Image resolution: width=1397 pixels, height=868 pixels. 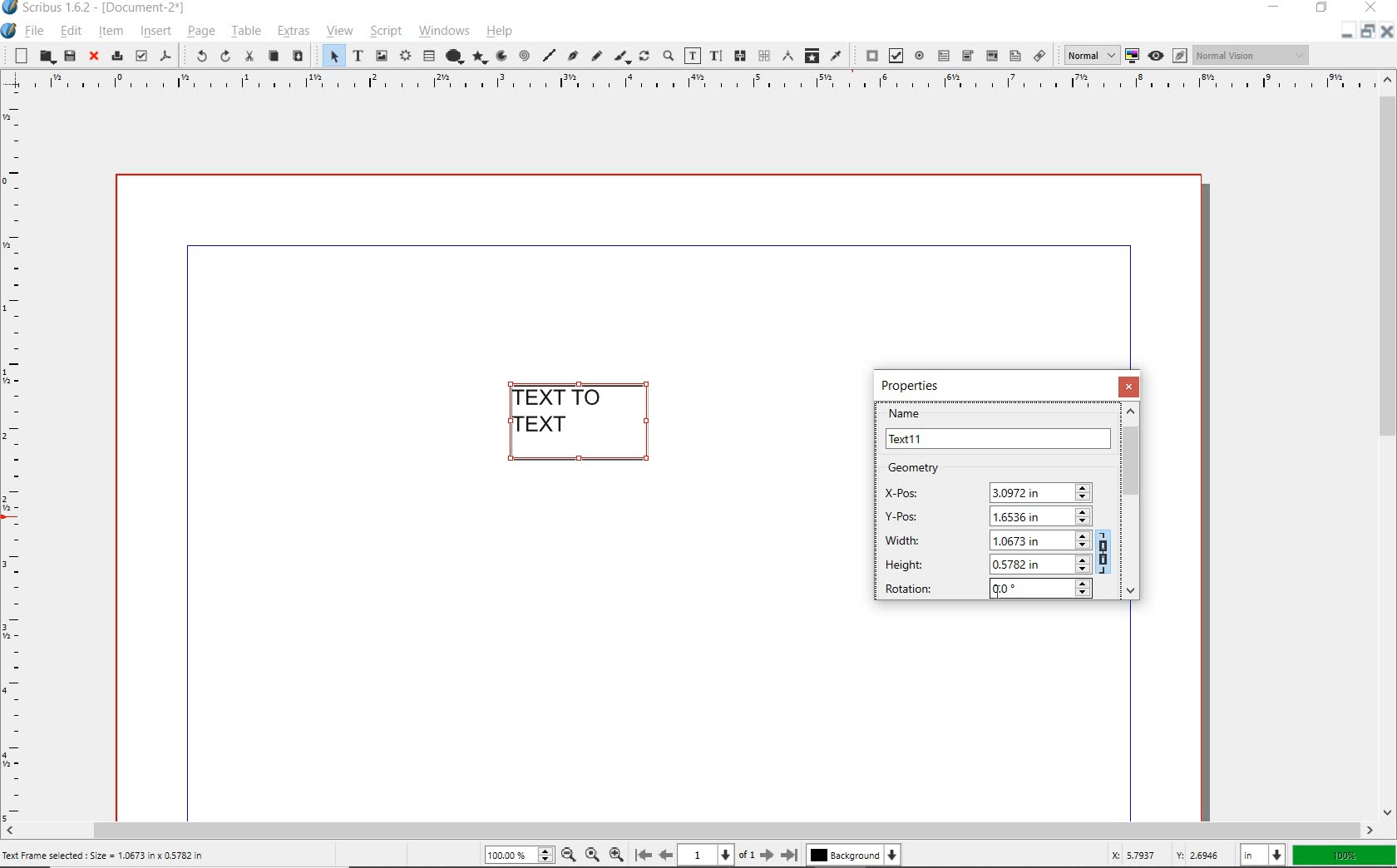 What do you see at coordinates (1134, 55) in the screenshot?
I see `toggle color` at bounding box center [1134, 55].